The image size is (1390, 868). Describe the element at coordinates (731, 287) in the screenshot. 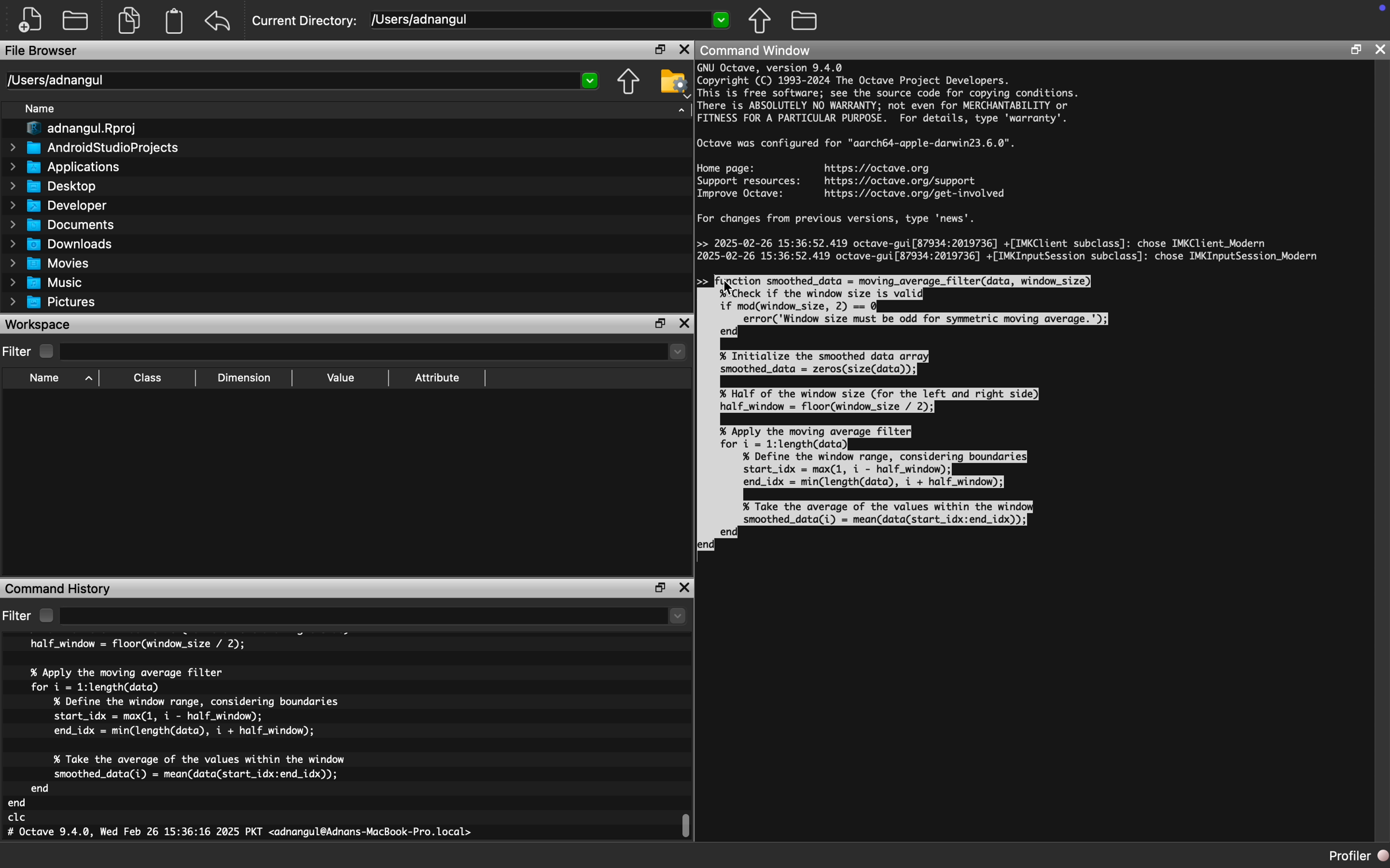

I see `Cursor` at that location.